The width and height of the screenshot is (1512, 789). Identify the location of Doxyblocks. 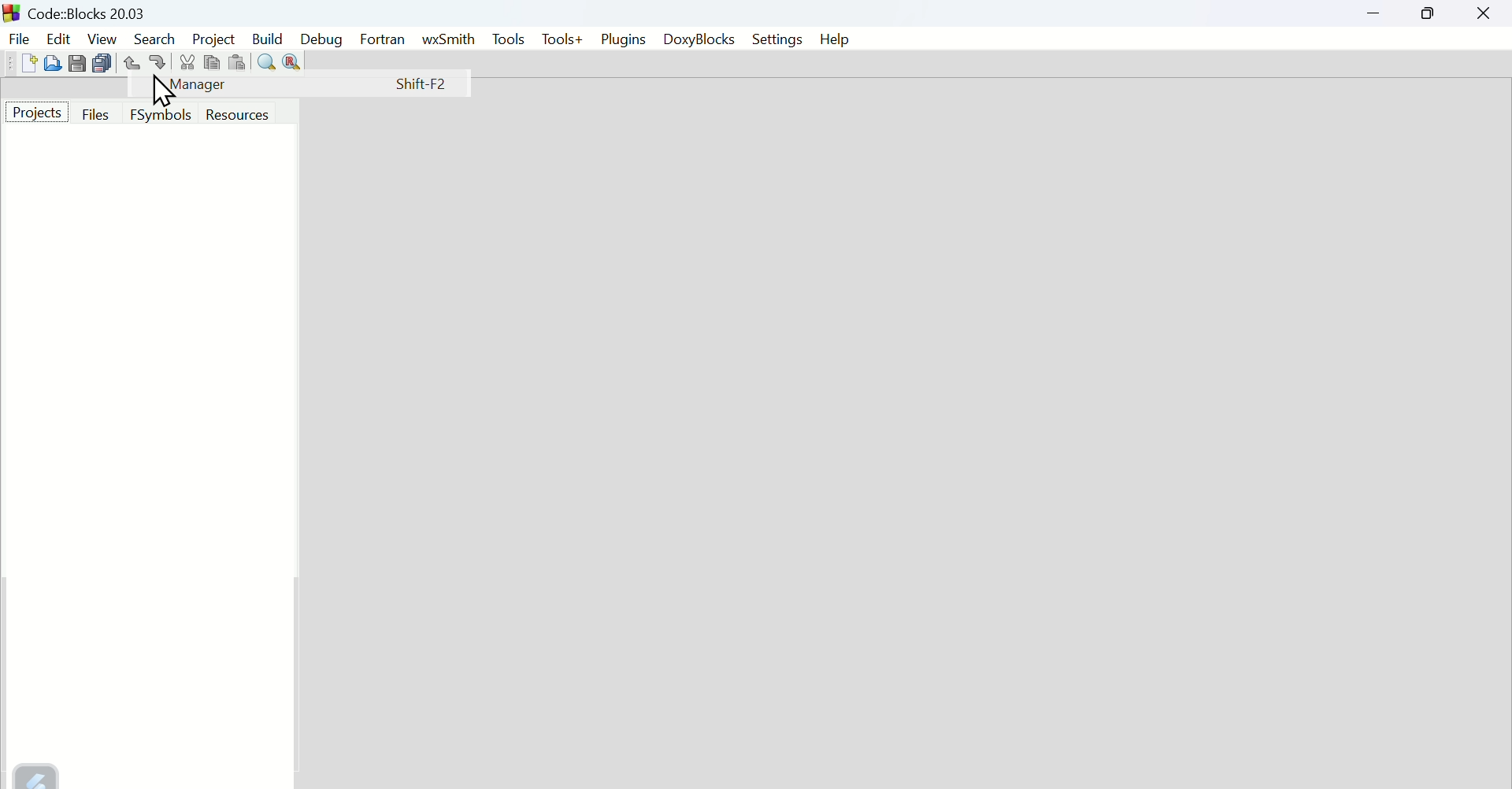
(698, 38).